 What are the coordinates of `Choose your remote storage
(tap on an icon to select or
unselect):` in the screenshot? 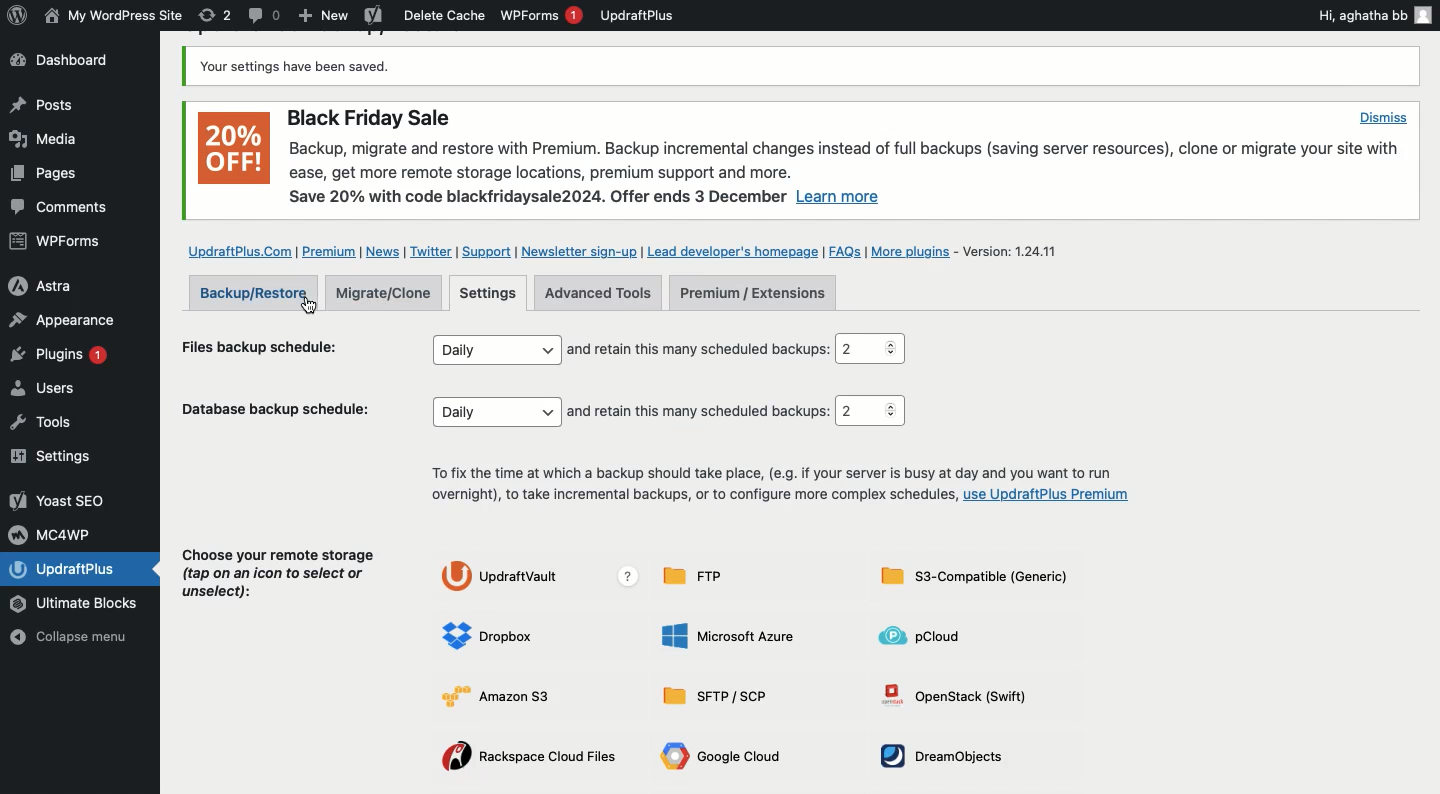 It's located at (280, 569).